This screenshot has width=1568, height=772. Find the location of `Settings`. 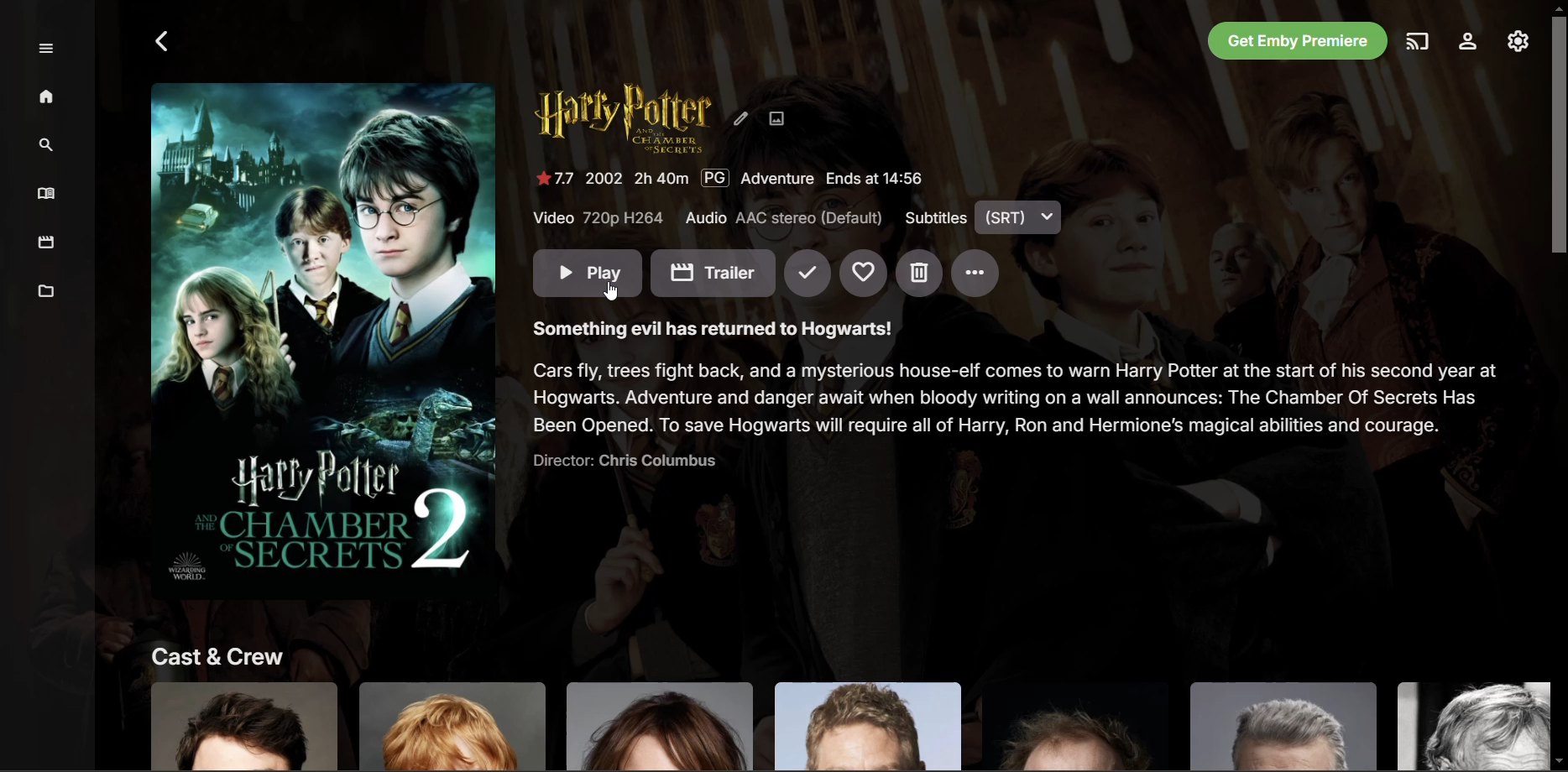

Settings is located at coordinates (1466, 44).